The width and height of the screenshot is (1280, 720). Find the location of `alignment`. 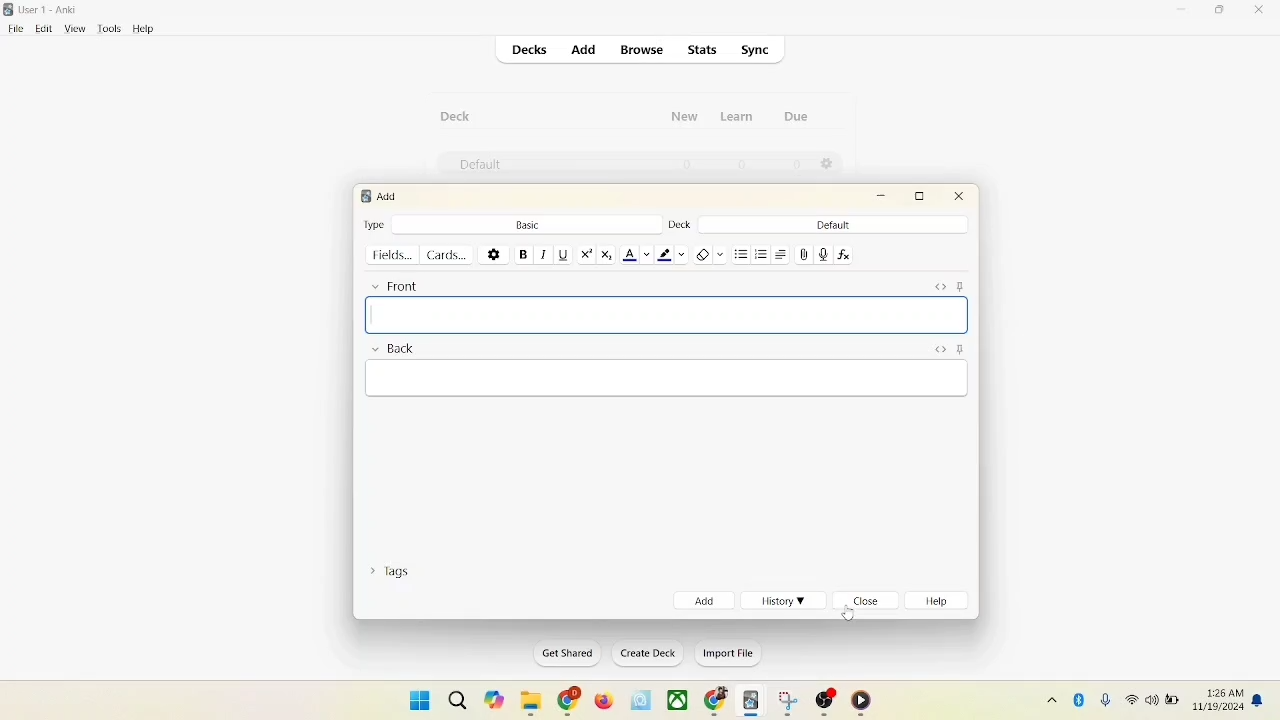

alignment is located at coordinates (783, 254).